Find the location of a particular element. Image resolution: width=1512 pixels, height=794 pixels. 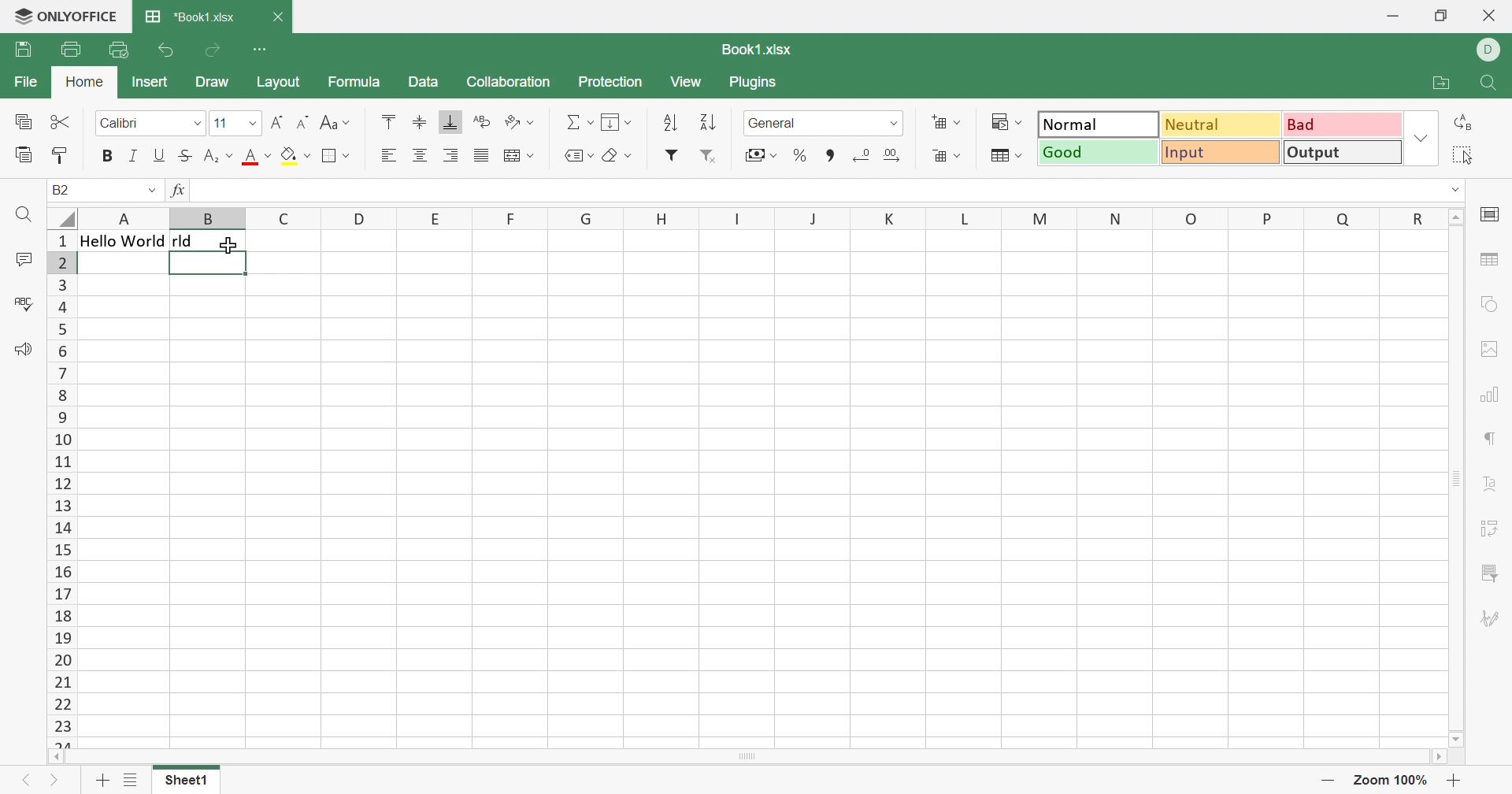

Scroll Up is located at coordinates (1451, 217).